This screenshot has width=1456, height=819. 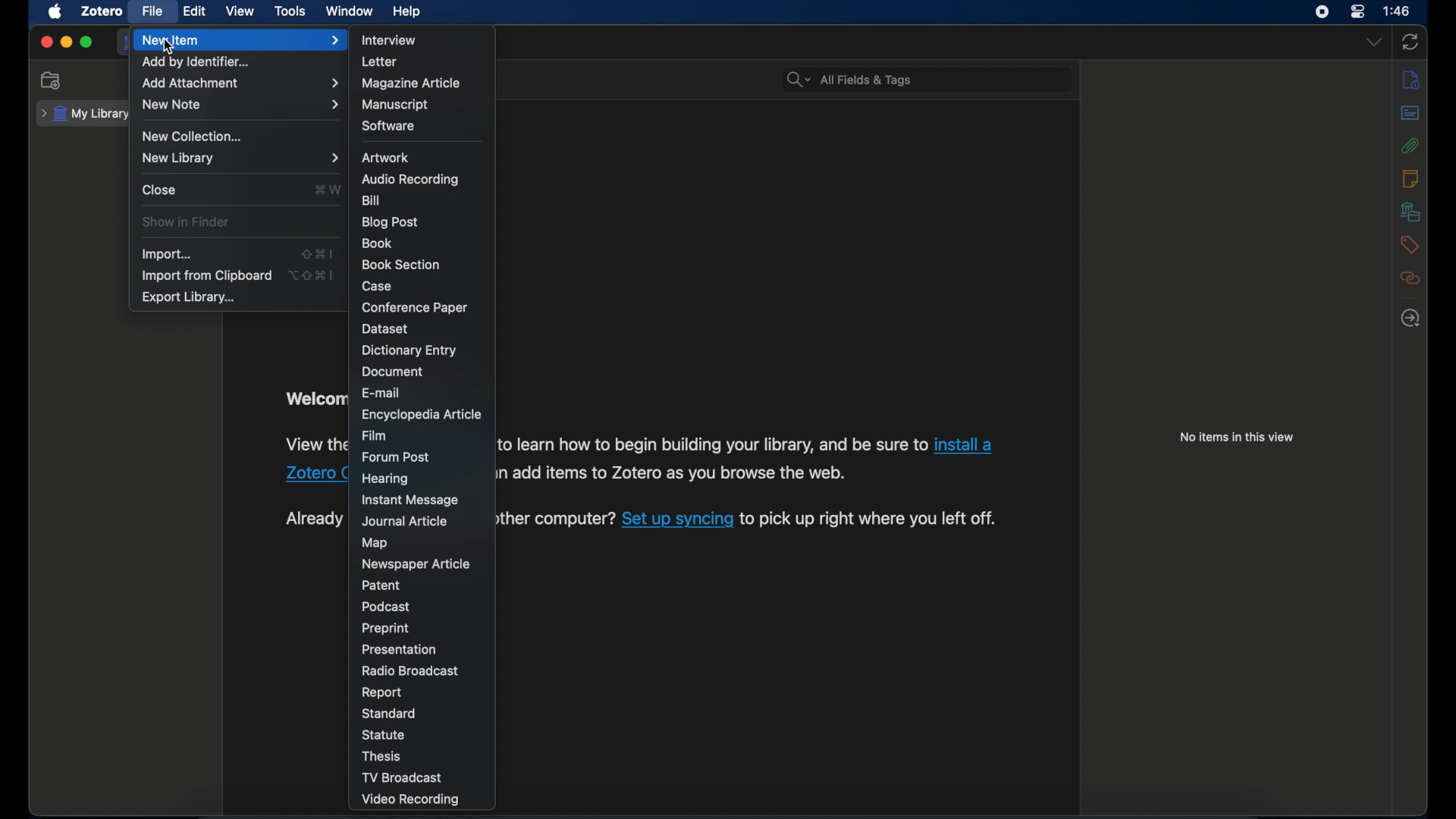 I want to click on install a, so click(x=967, y=444).